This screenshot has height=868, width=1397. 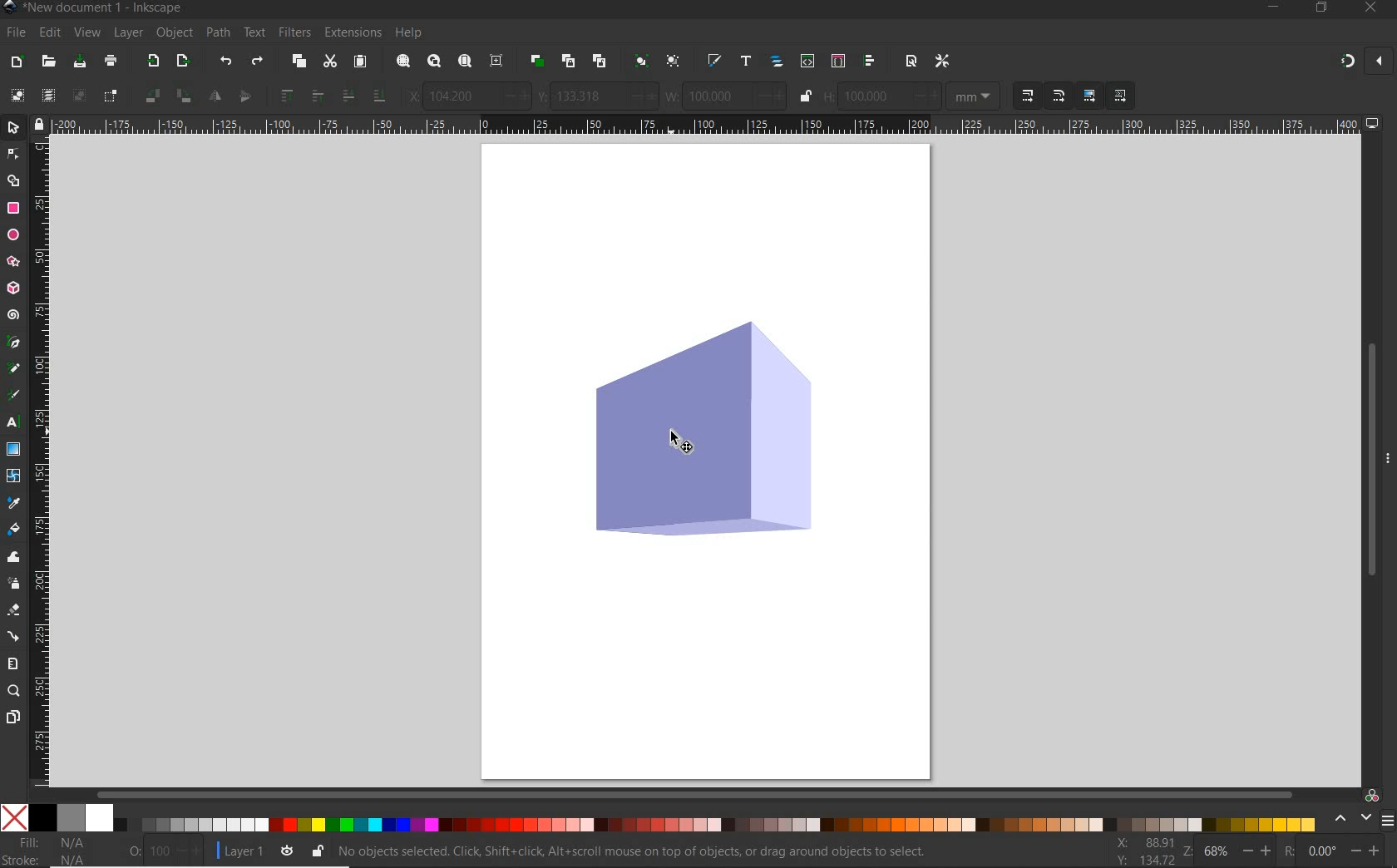 I want to click on ZOOM TOOL, so click(x=15, y=691).